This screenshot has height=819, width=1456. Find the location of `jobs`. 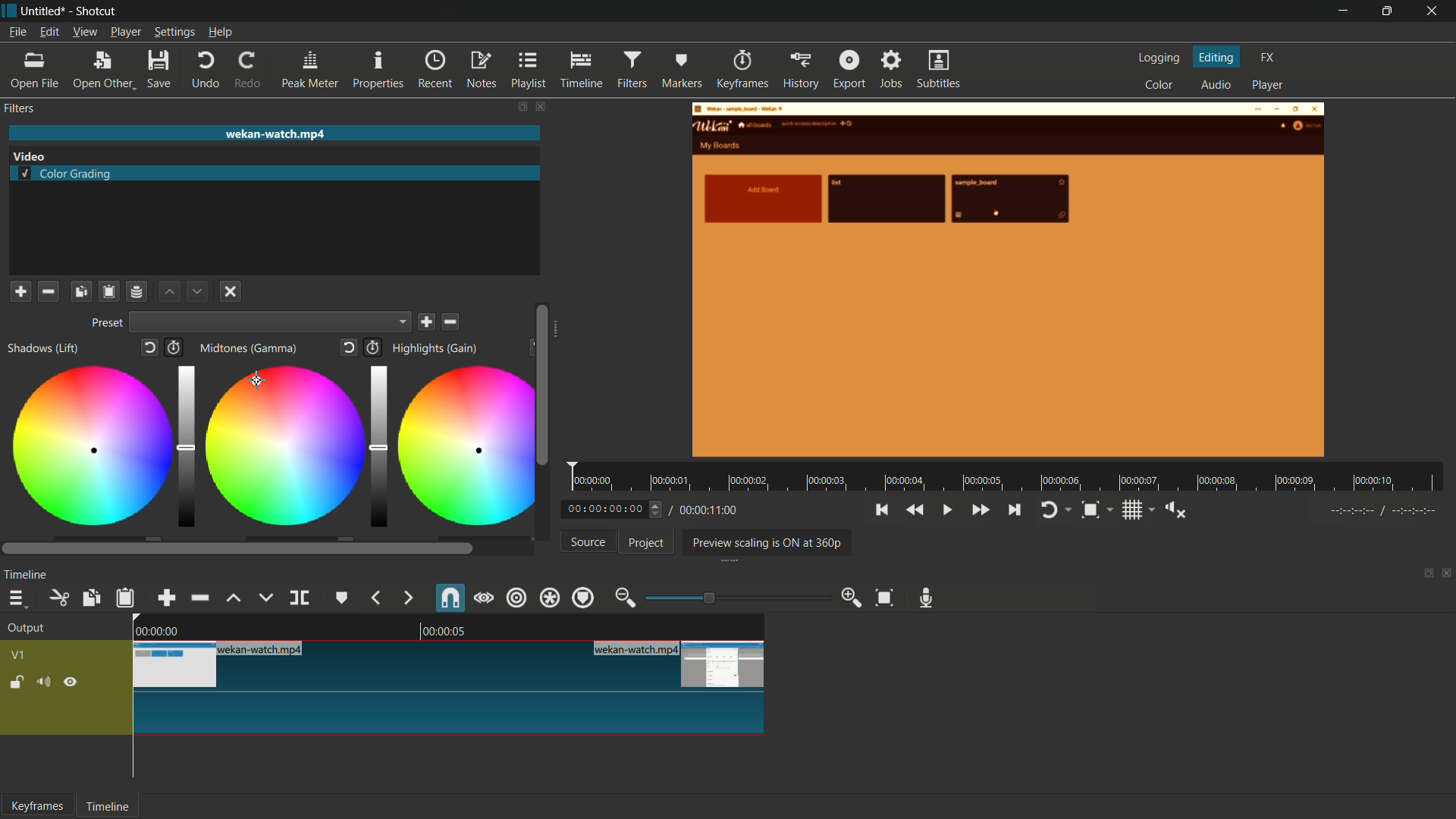

jobs is located at coordinates (893, 70).